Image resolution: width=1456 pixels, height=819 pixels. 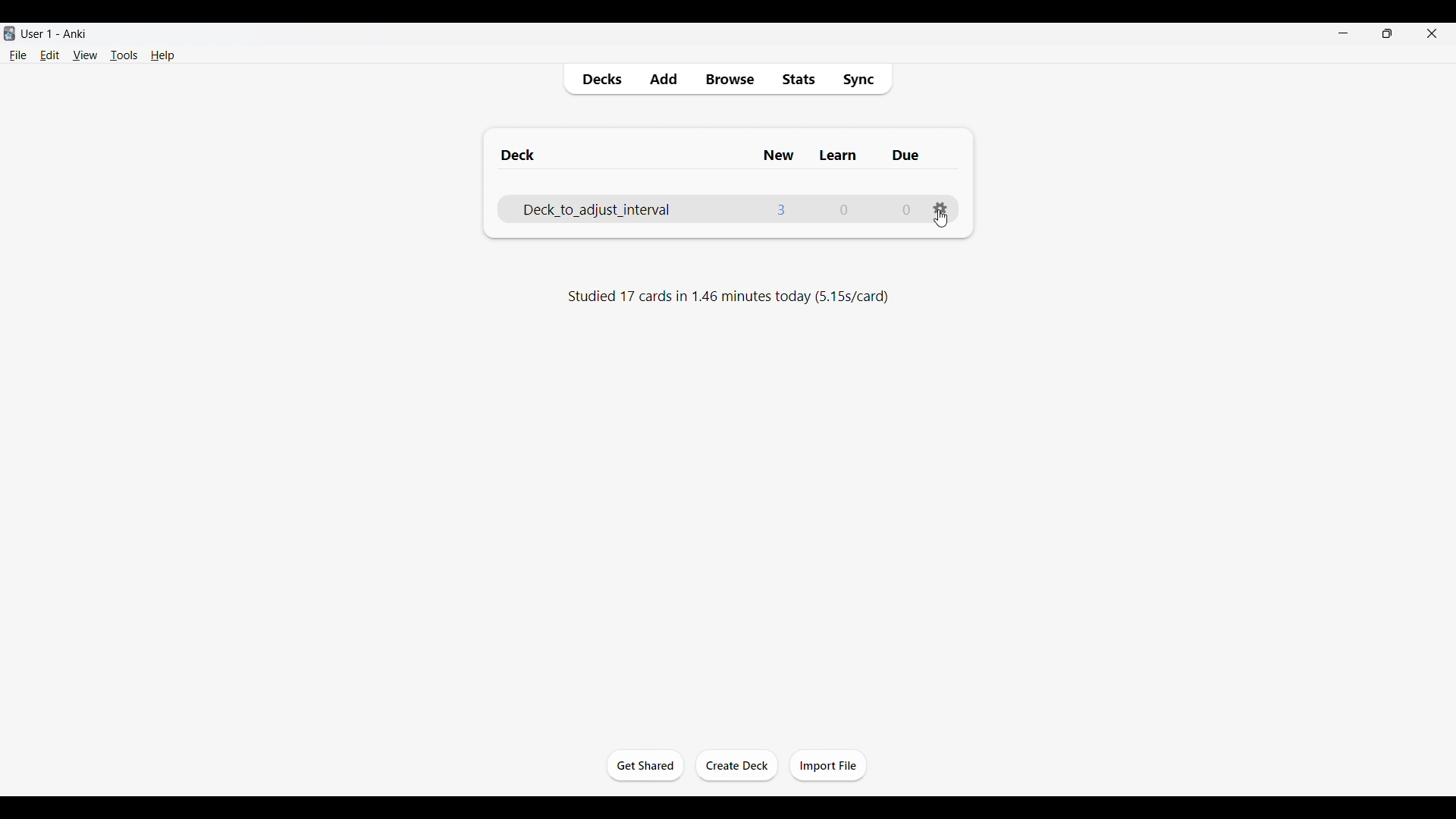 What do you see at coordinates (838, 157) in the screenshot?
I see `Learn column` at bounding box center [838, 157].